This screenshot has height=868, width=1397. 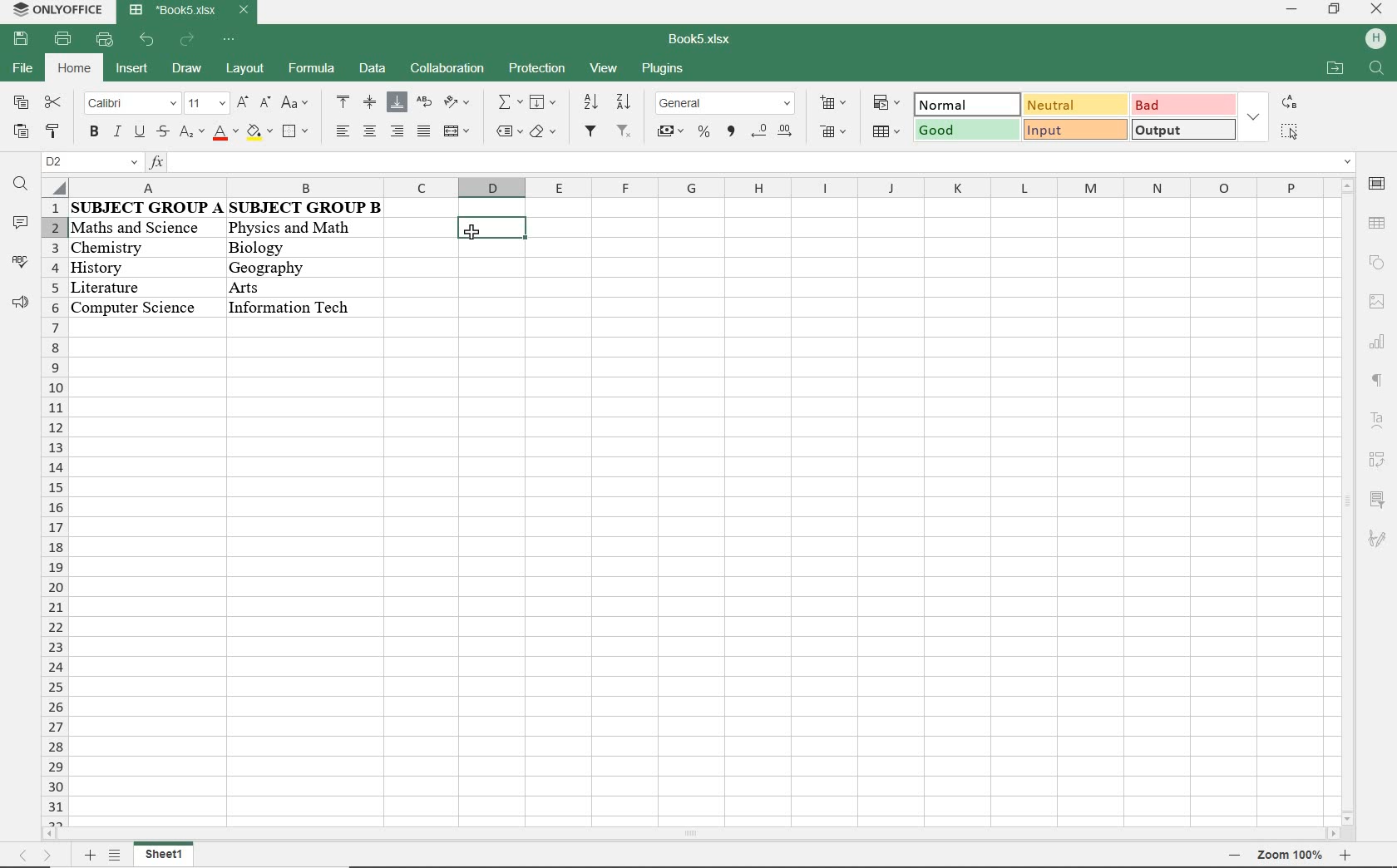 I want to click on maths and science , so click(x=143, y=226).